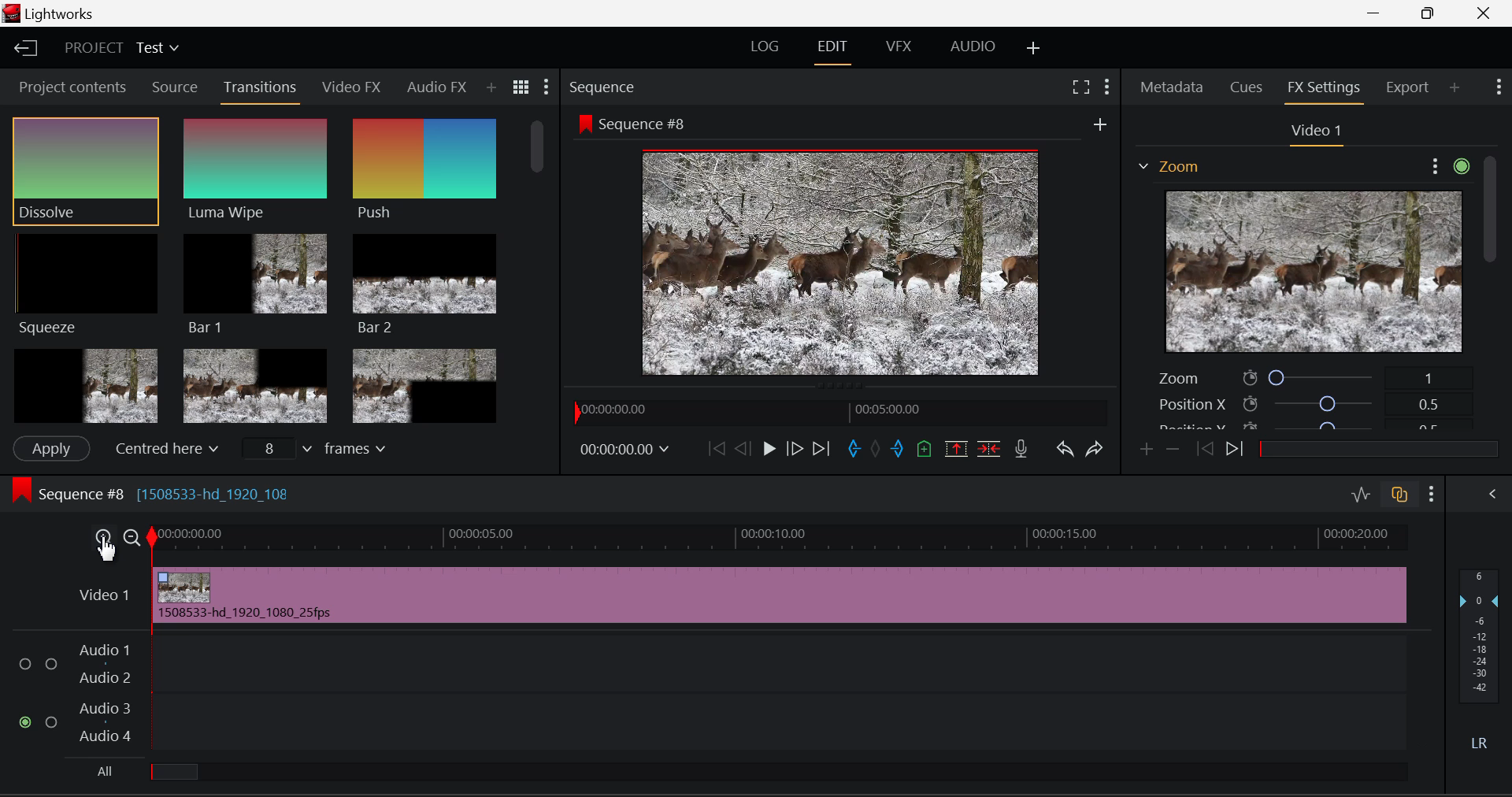 The image size is (1512, 797). Describe the element at coordinates (745, 451) in the screenshot. I see `Go Back` at that location.